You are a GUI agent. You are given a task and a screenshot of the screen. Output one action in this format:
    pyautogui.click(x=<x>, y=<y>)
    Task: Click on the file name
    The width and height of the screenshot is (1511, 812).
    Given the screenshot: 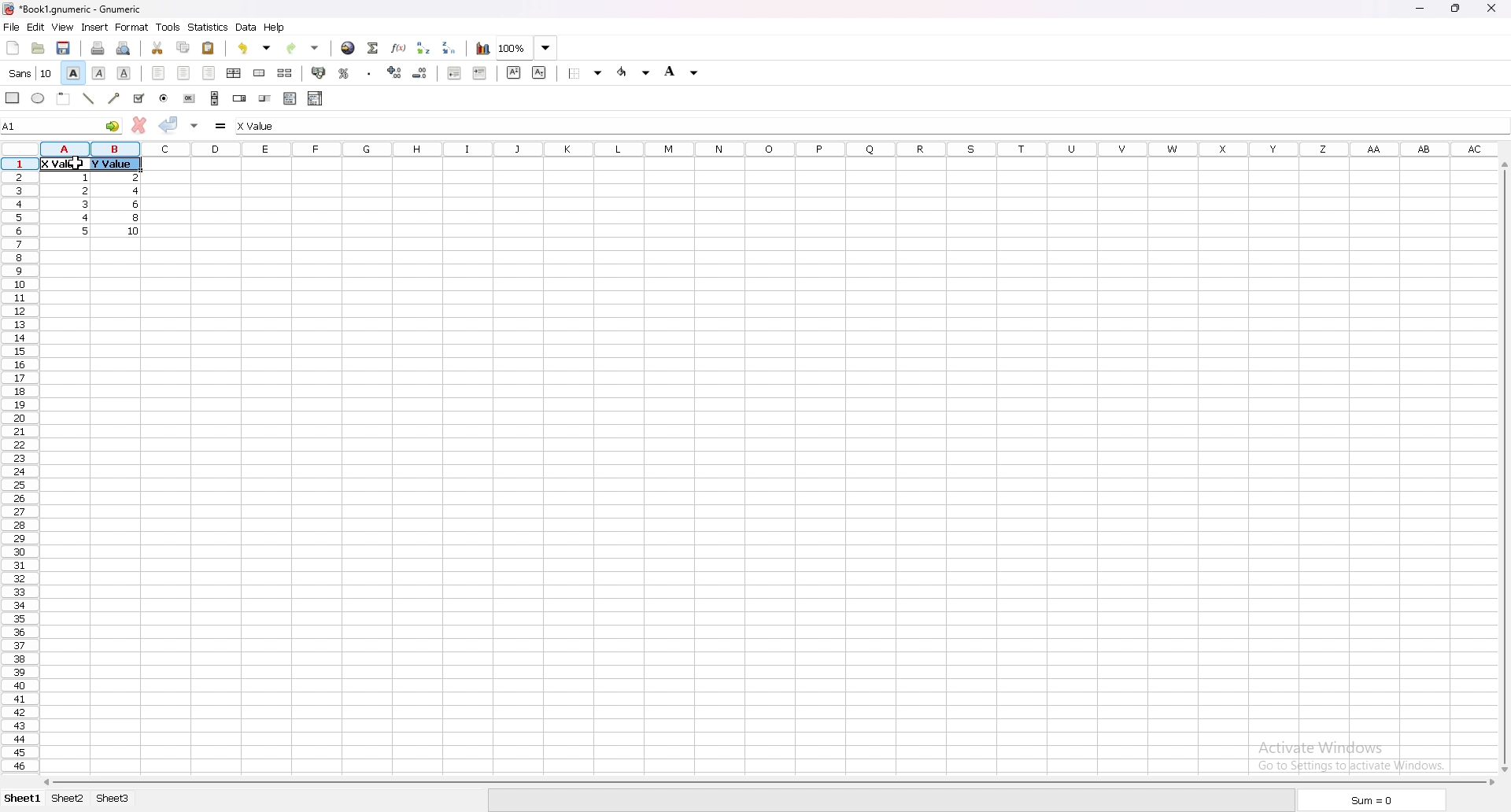 What is the action you would take?
    pyautogui.click(x=72, y=9)
    